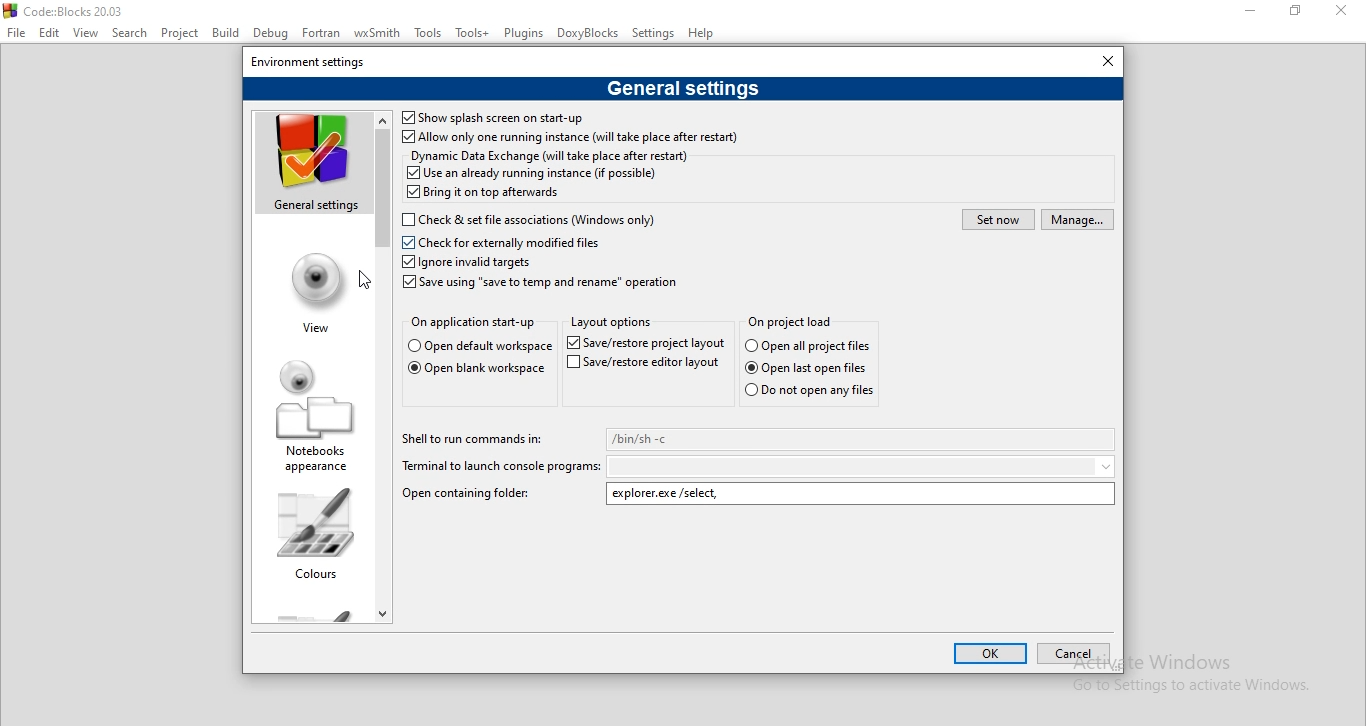 The width and height of the screenshot is (1366, 726). What do you see at coordinates (703, 35) in the screenshot?
I see `Help` at bounding box center [703, 35].